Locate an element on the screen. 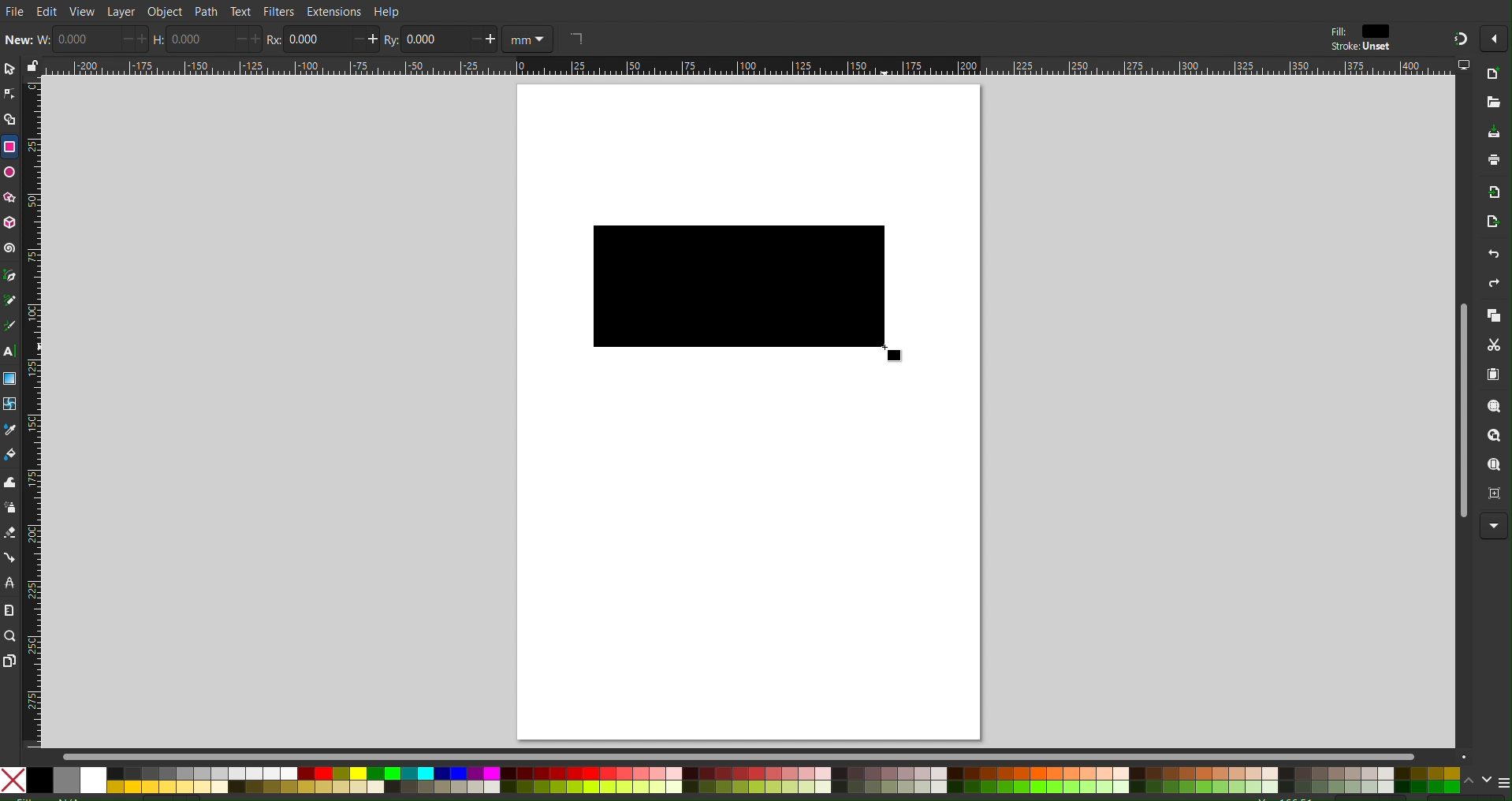 This screenshot has height=801, width=1512. 0.000 is located at coordinates (316, 41).